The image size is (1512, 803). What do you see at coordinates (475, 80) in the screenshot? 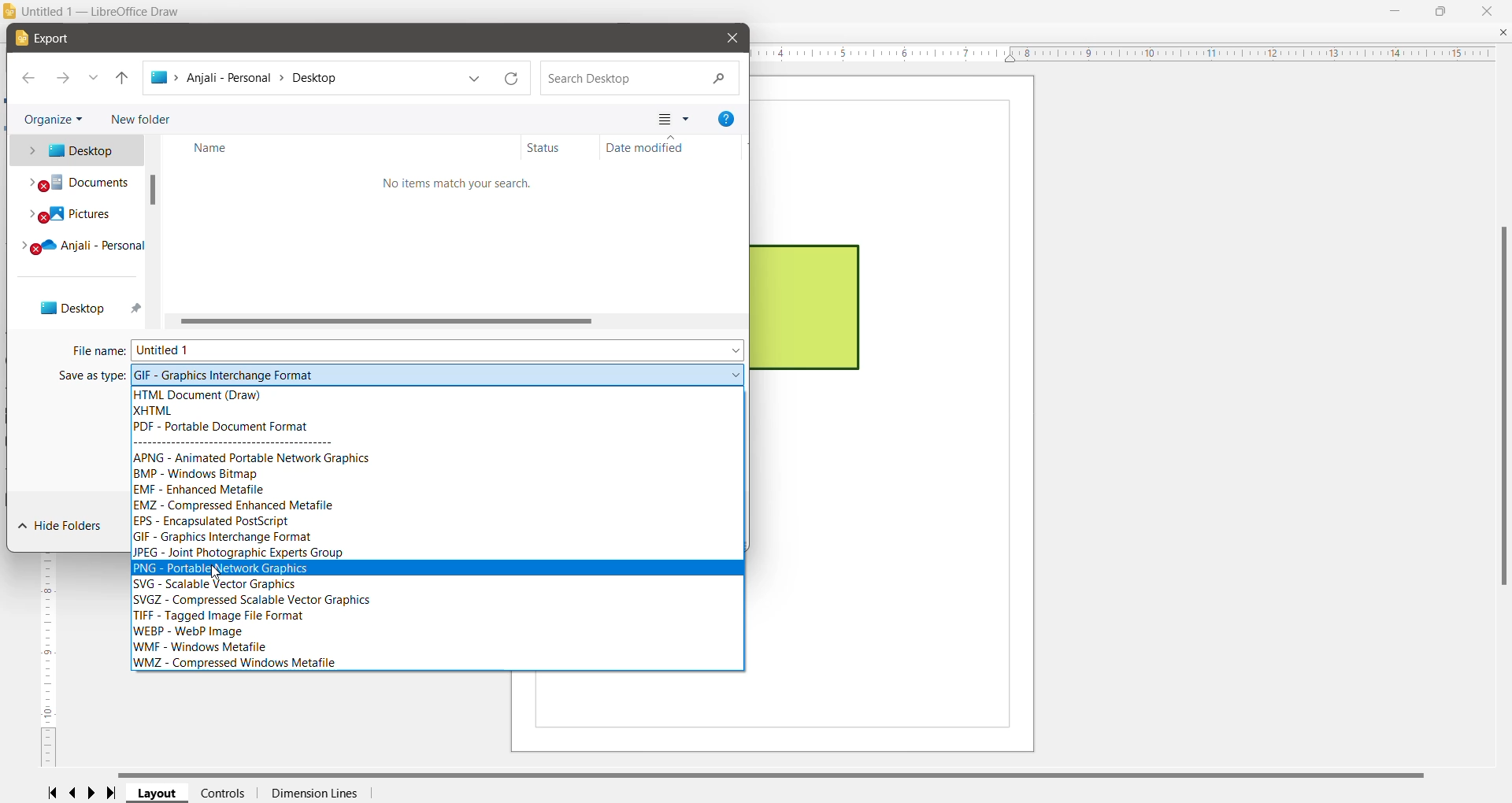
I see `Previous locations` at bounding box center [475, 80].